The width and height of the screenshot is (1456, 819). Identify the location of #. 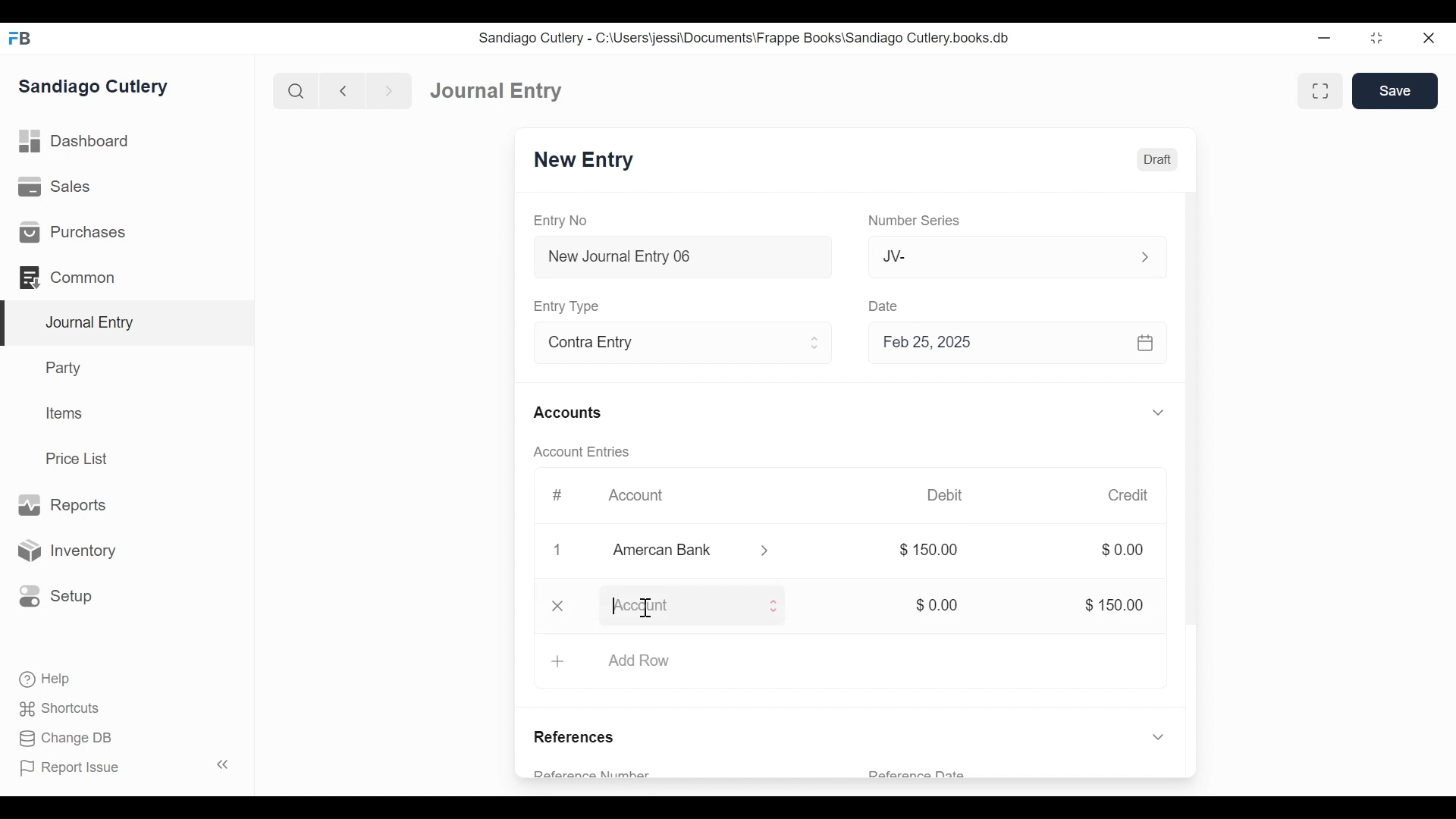
(557, 495).